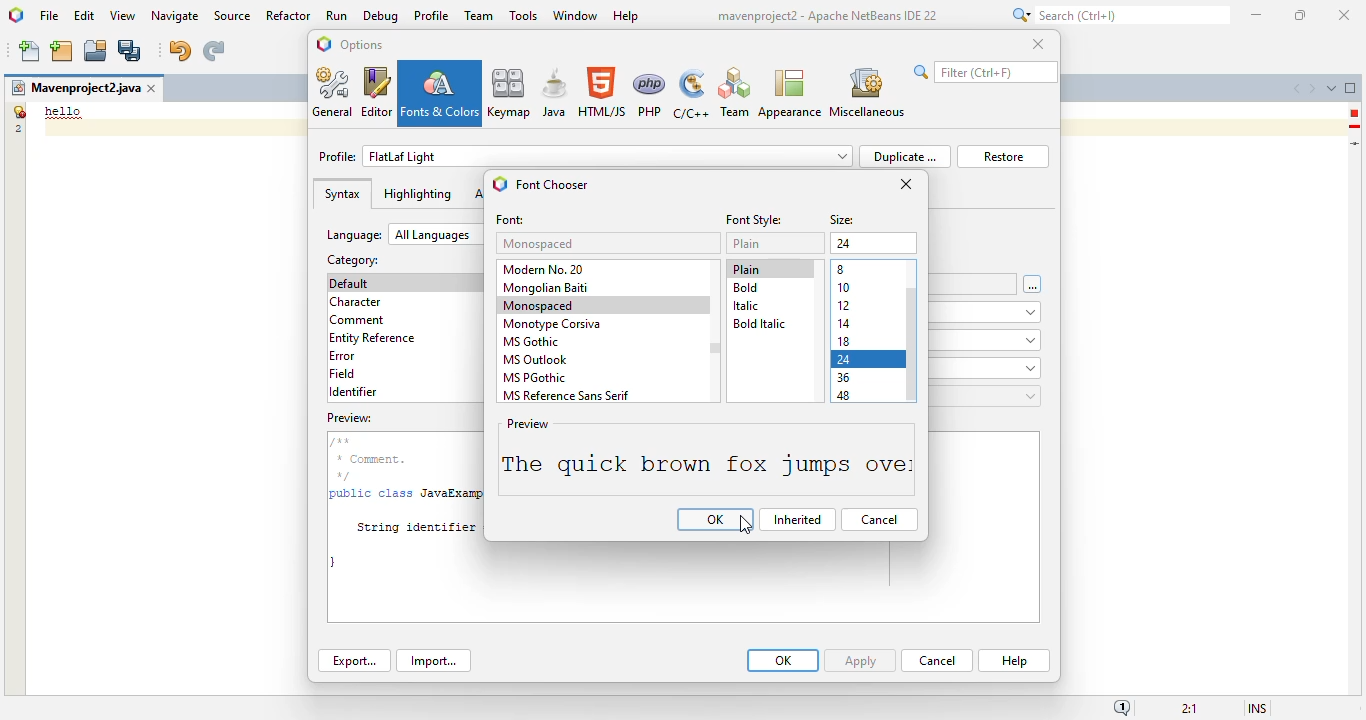 The width and height of the screenshot is (1366, 720). Describe the element at coordinates (352, 418) in the screenshot. I see `preview` at that location.